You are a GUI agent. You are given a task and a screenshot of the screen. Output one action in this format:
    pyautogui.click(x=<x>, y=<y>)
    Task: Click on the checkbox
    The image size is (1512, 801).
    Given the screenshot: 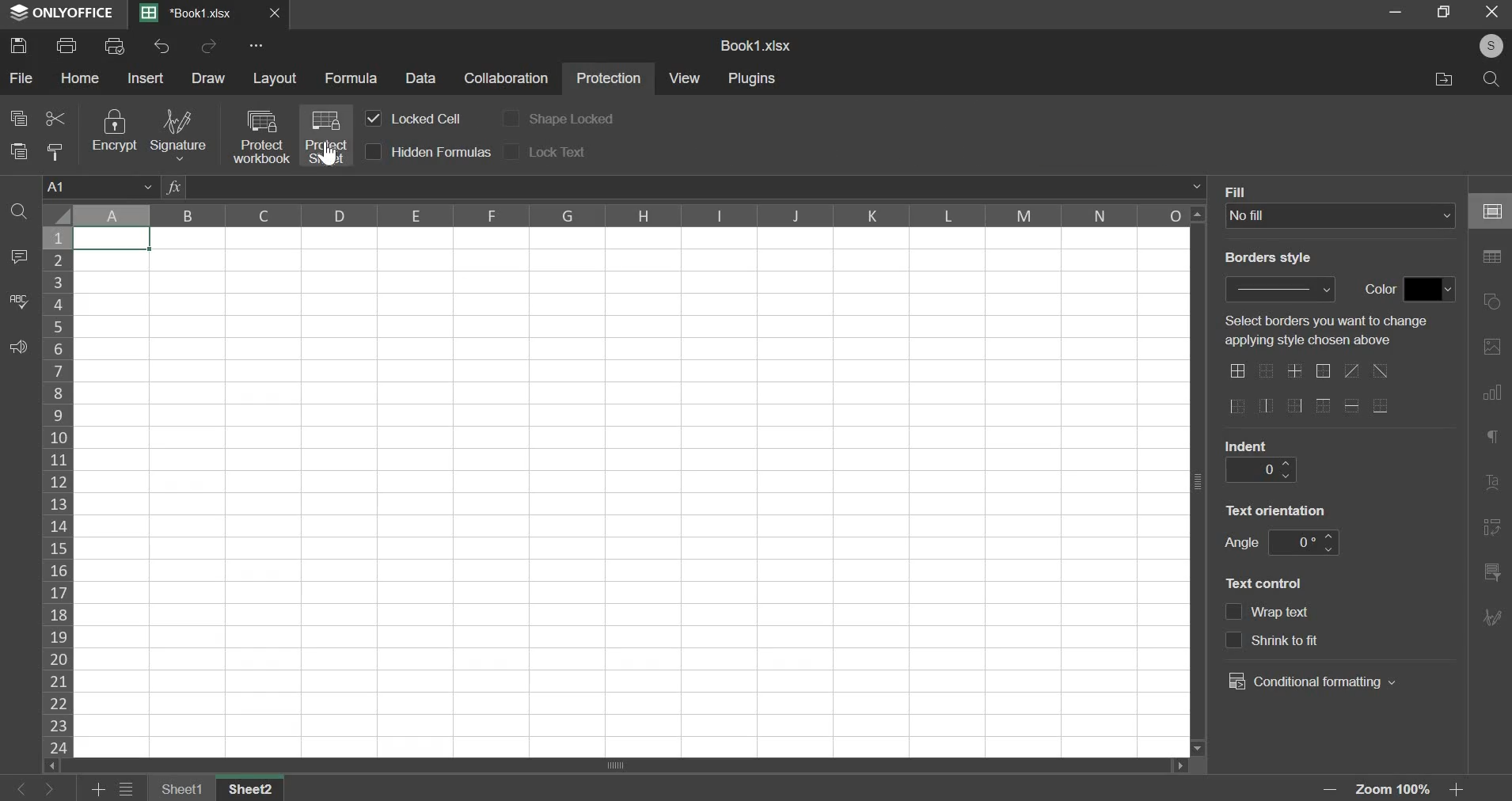 What is the action you would take?
    pyautogui.click(x=1234, y=613)
    